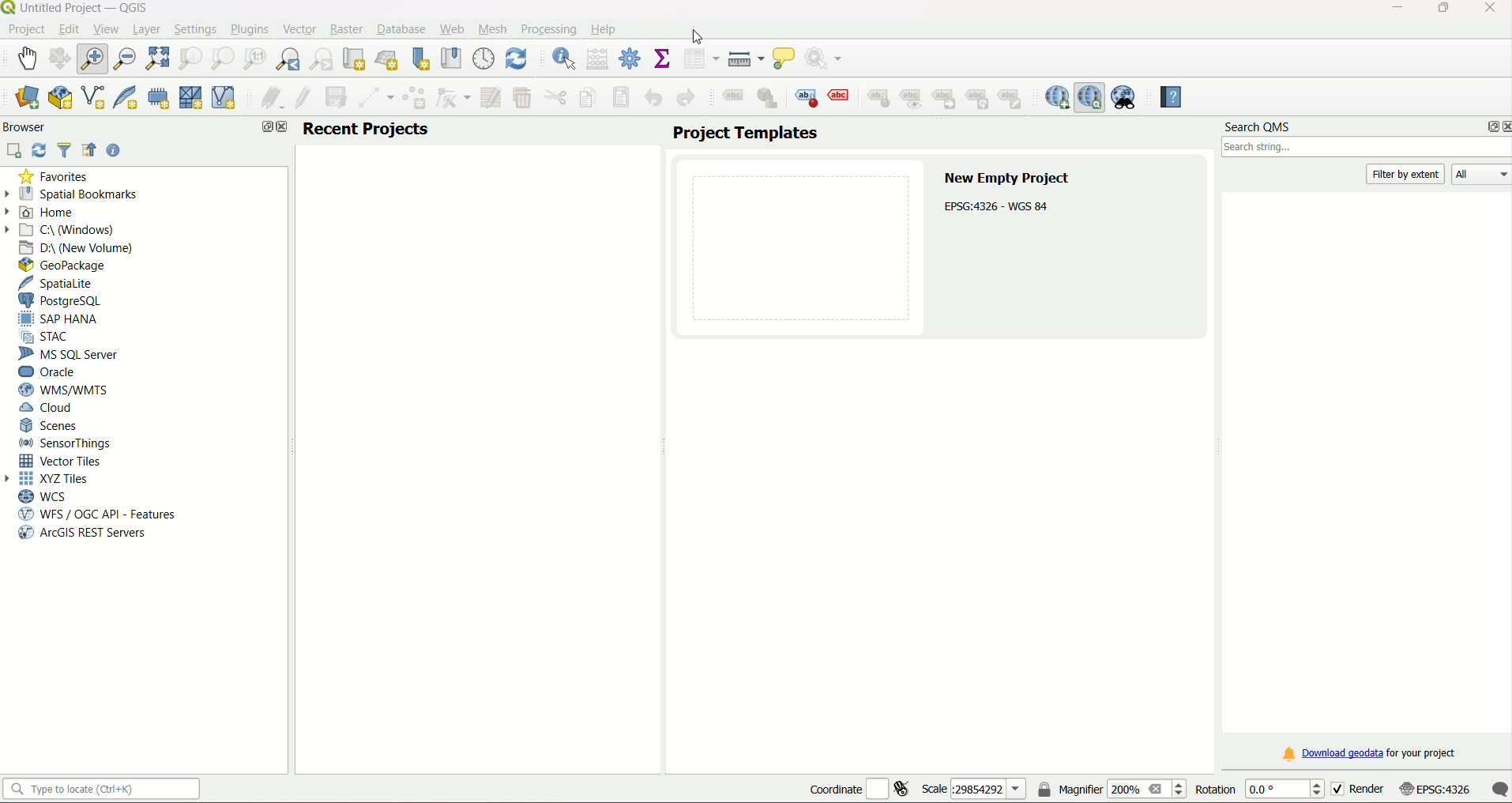 The image size is (1512, 803). I want to click on Sensor Things, so click(66, 443).